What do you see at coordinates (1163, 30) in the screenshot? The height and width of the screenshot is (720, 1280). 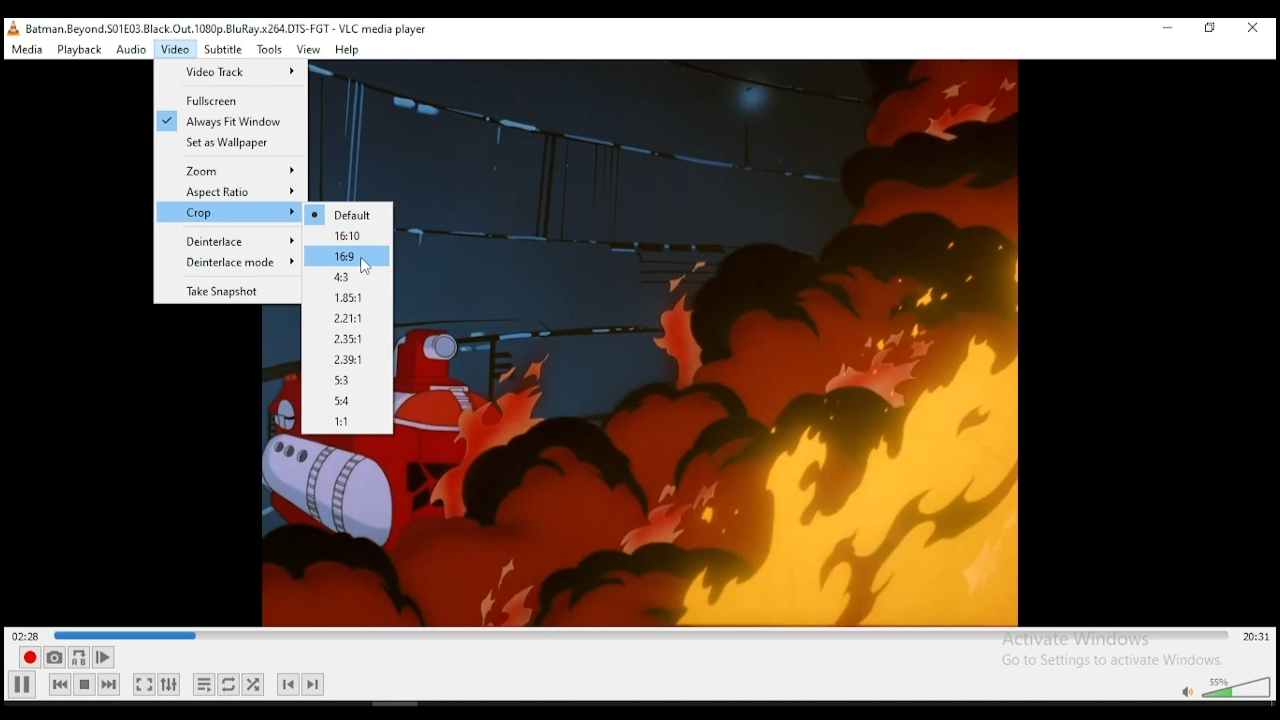 I see `minimize` at bounding box center [1163, 30].